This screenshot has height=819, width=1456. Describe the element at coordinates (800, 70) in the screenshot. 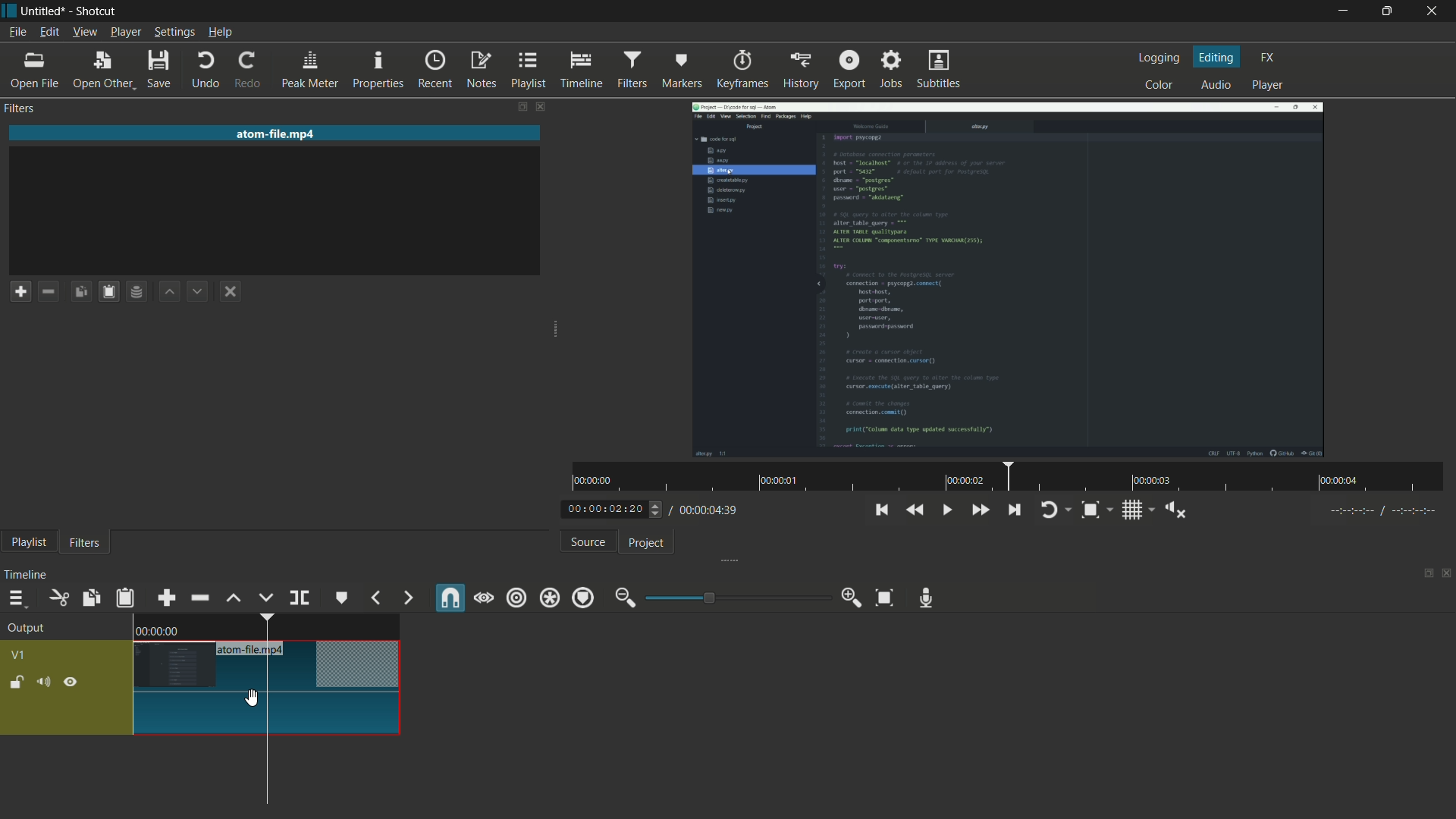

I see `history` at that location.